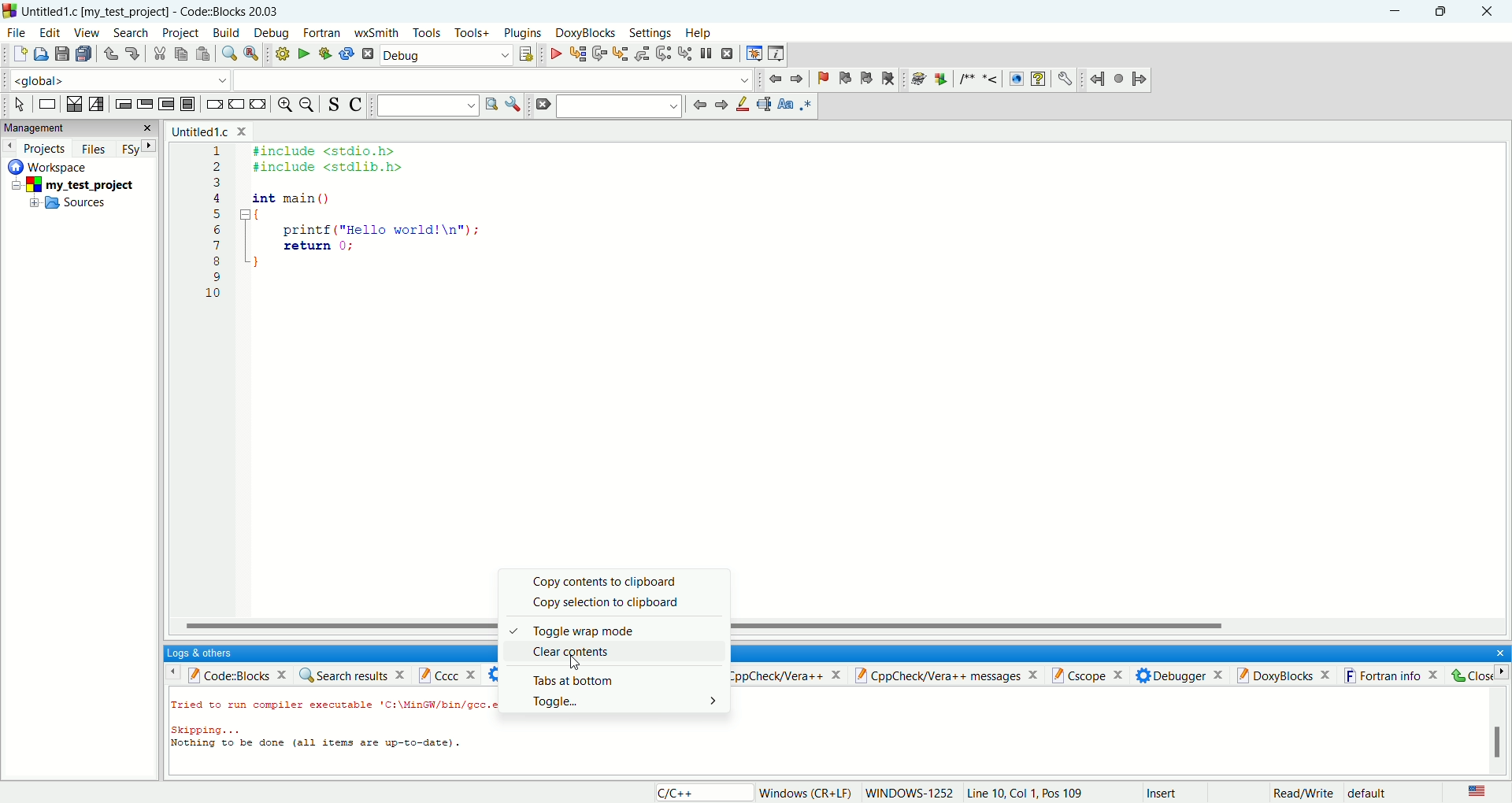 This screenshot has height=803, width=1512. Describe the element at coordinates (843, 80) in the screenshot. I see `previous bookmark` at that location.